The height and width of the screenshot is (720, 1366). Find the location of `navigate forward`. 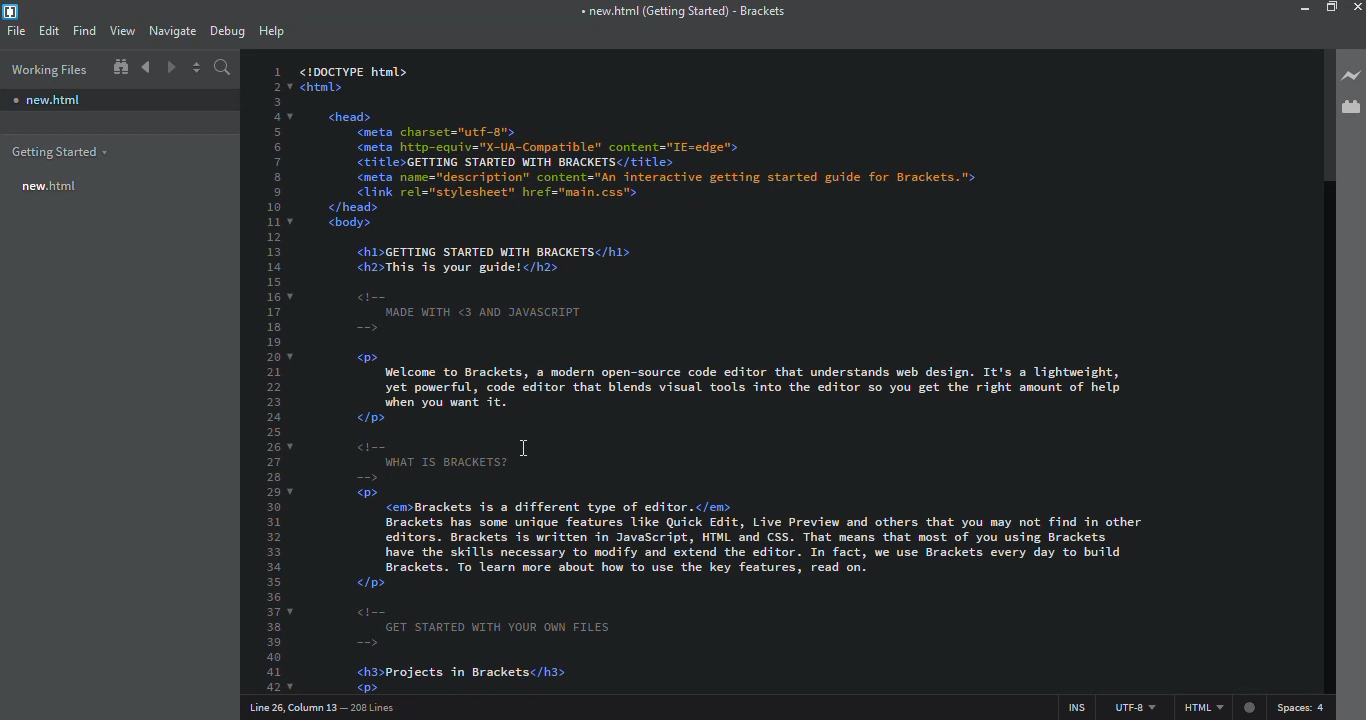

navigate forward is located at coordinates (171, 67).